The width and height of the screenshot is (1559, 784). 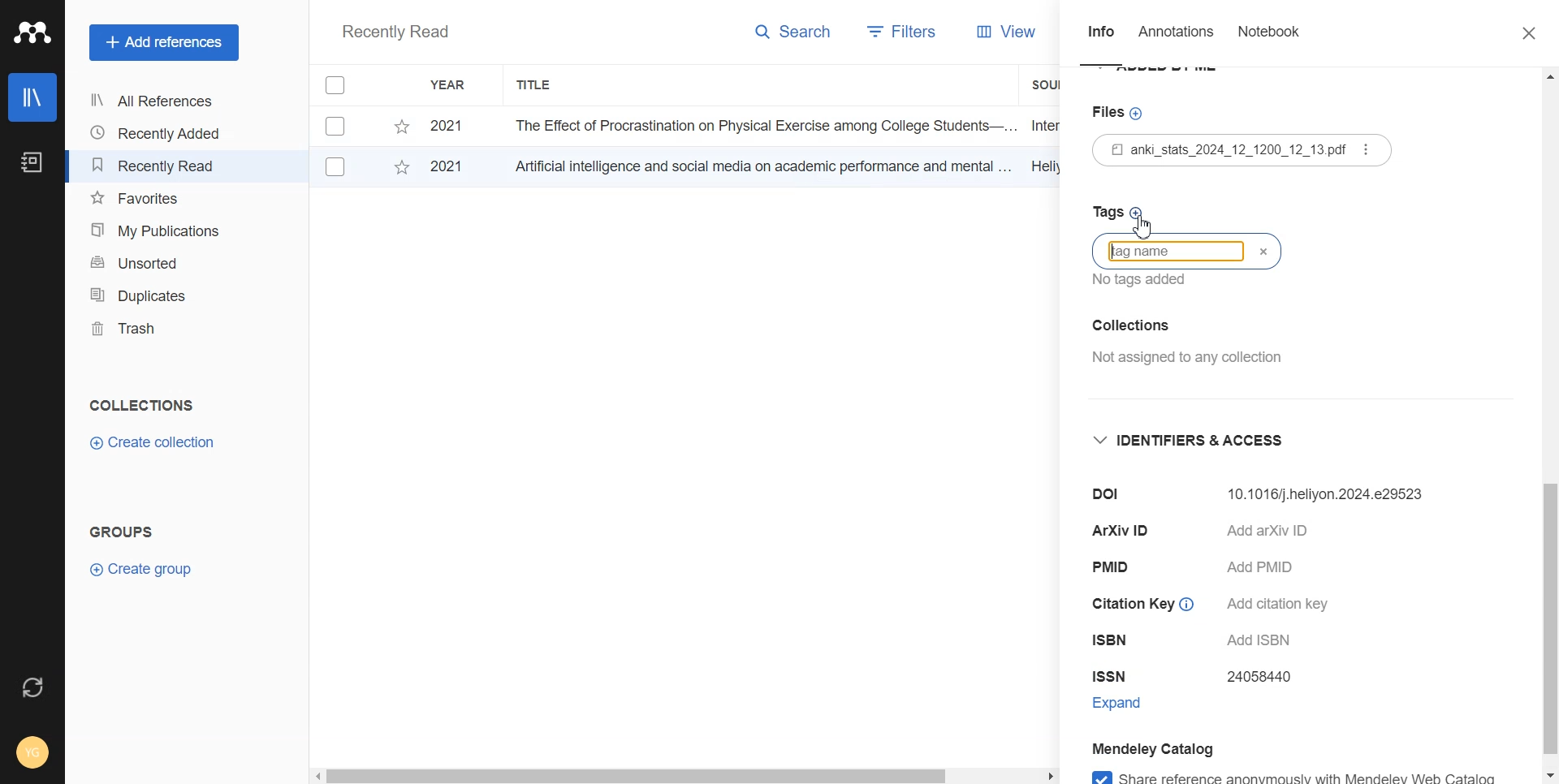 I want to click on 2021, so click(x=455, y=169).